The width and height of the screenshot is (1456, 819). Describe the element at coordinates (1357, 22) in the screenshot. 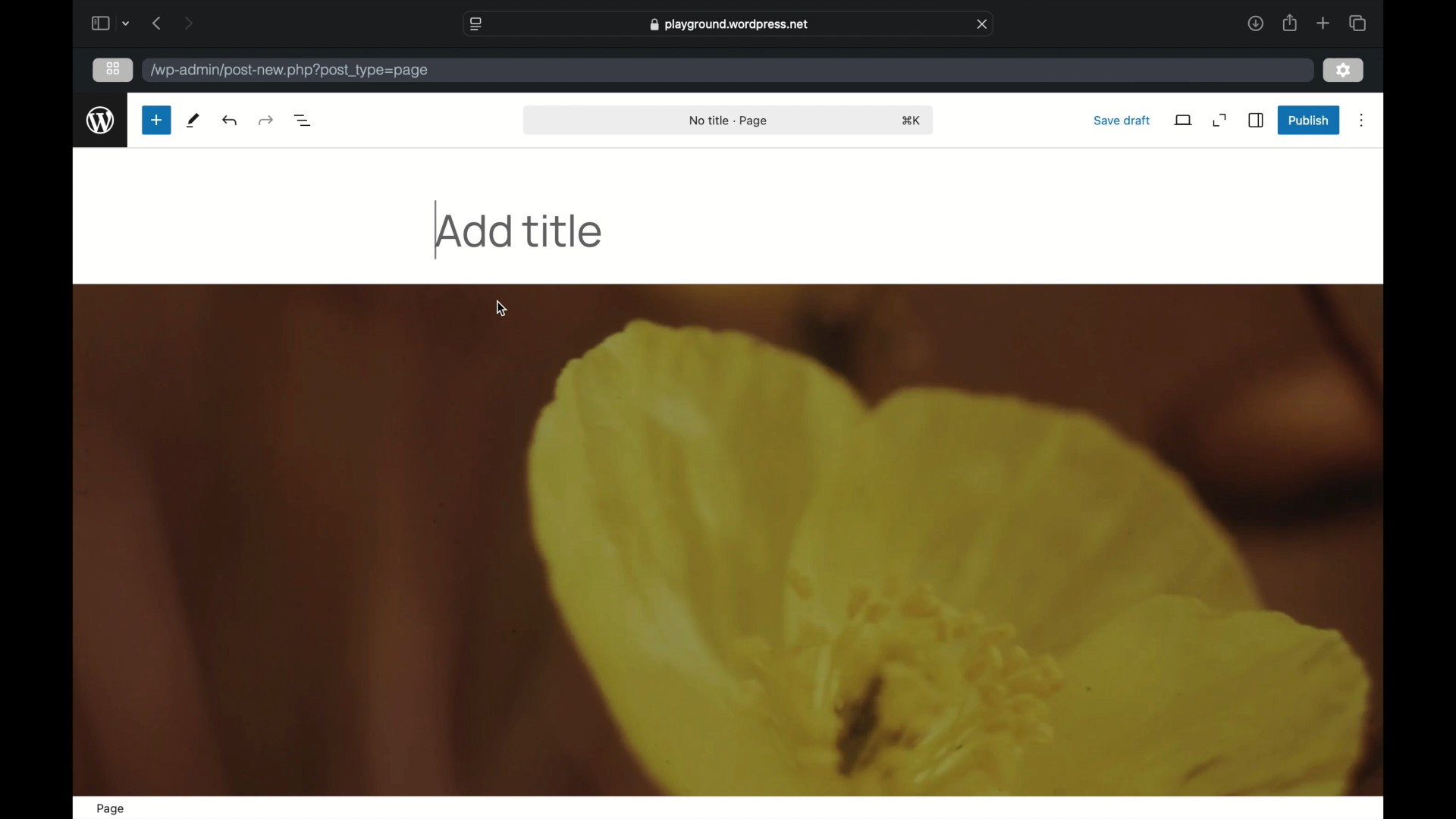

I see `show tab overview` at that location.